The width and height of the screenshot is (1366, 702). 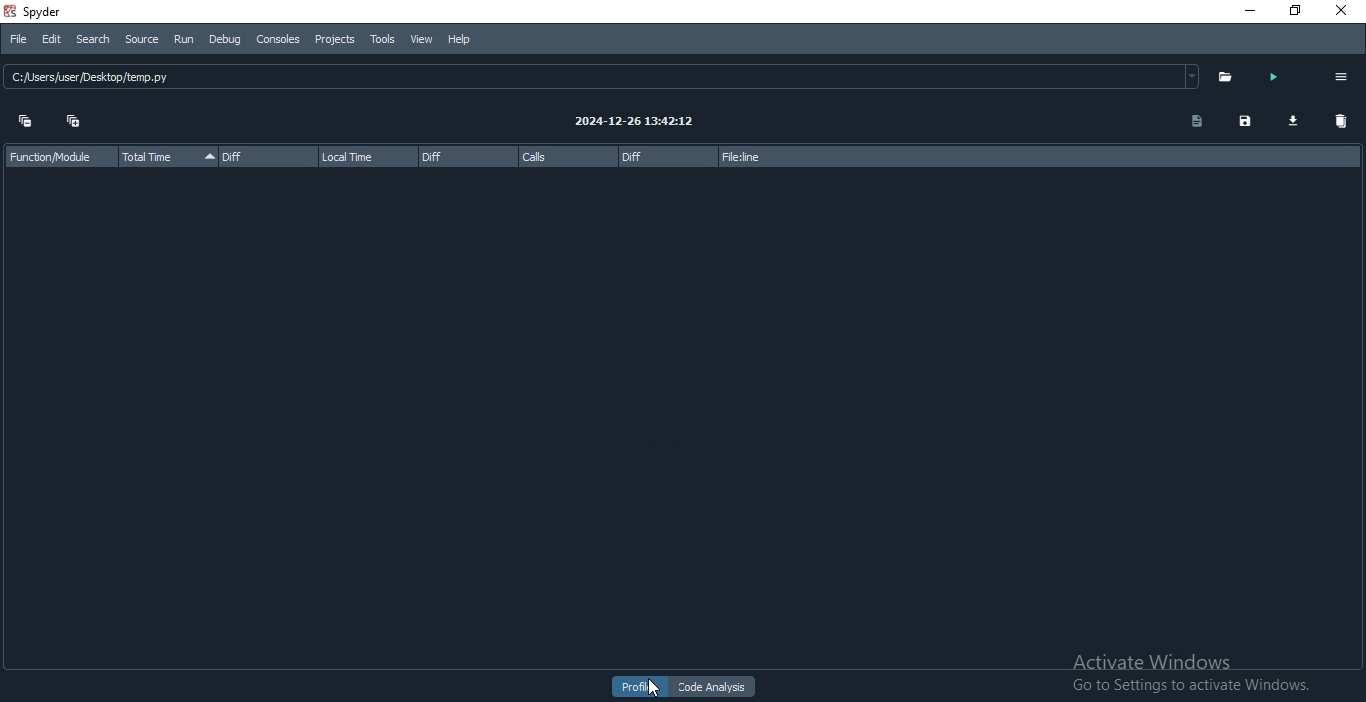 What do you see at coordinates (640, 687) in the screenshot?
I see `profiler` at bounding box center [640, 687].